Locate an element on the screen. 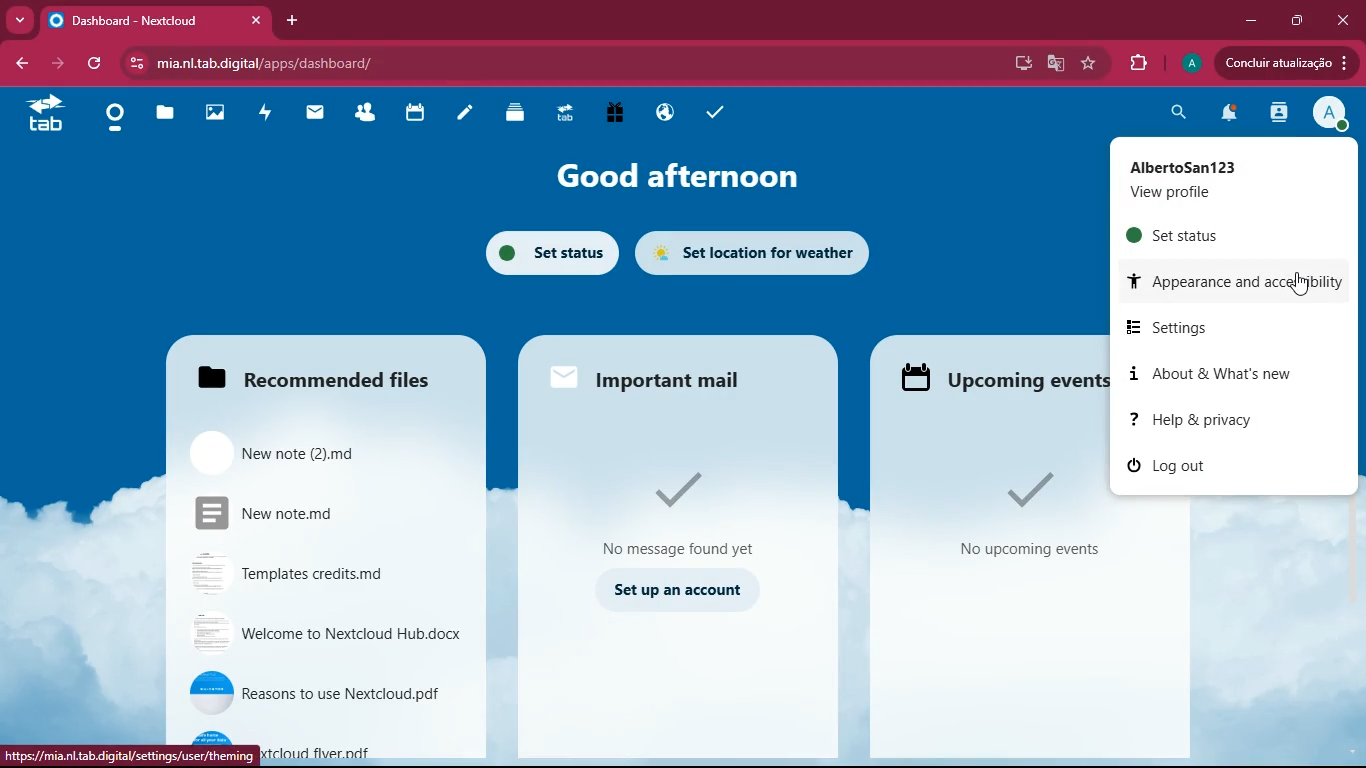 This screenshot has height=768, width=1366. Dashboard - Nextcloud is located at coordinates (155, 21).